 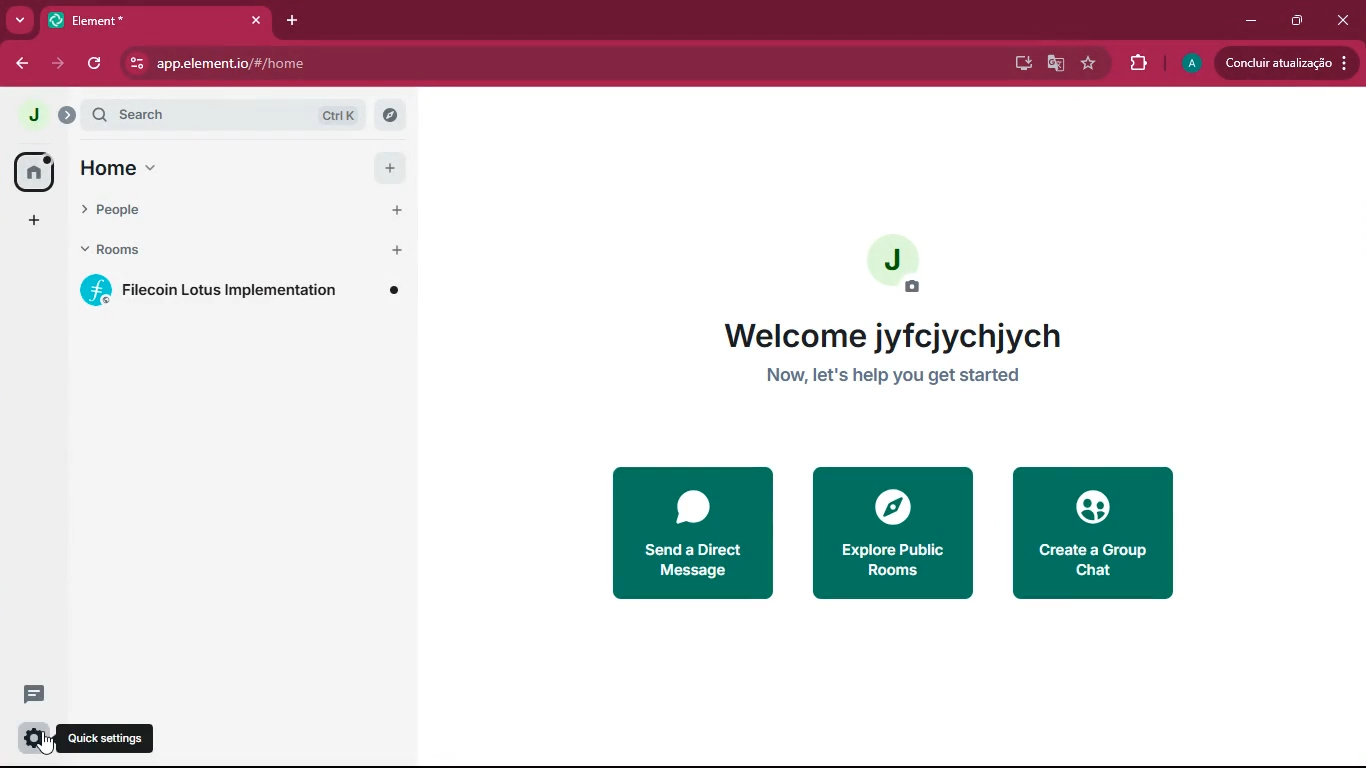 What do you see at coordinates (907, 376) in the screenshot?
I see `Now, let's help you get started` at bounding box center [907, 376].